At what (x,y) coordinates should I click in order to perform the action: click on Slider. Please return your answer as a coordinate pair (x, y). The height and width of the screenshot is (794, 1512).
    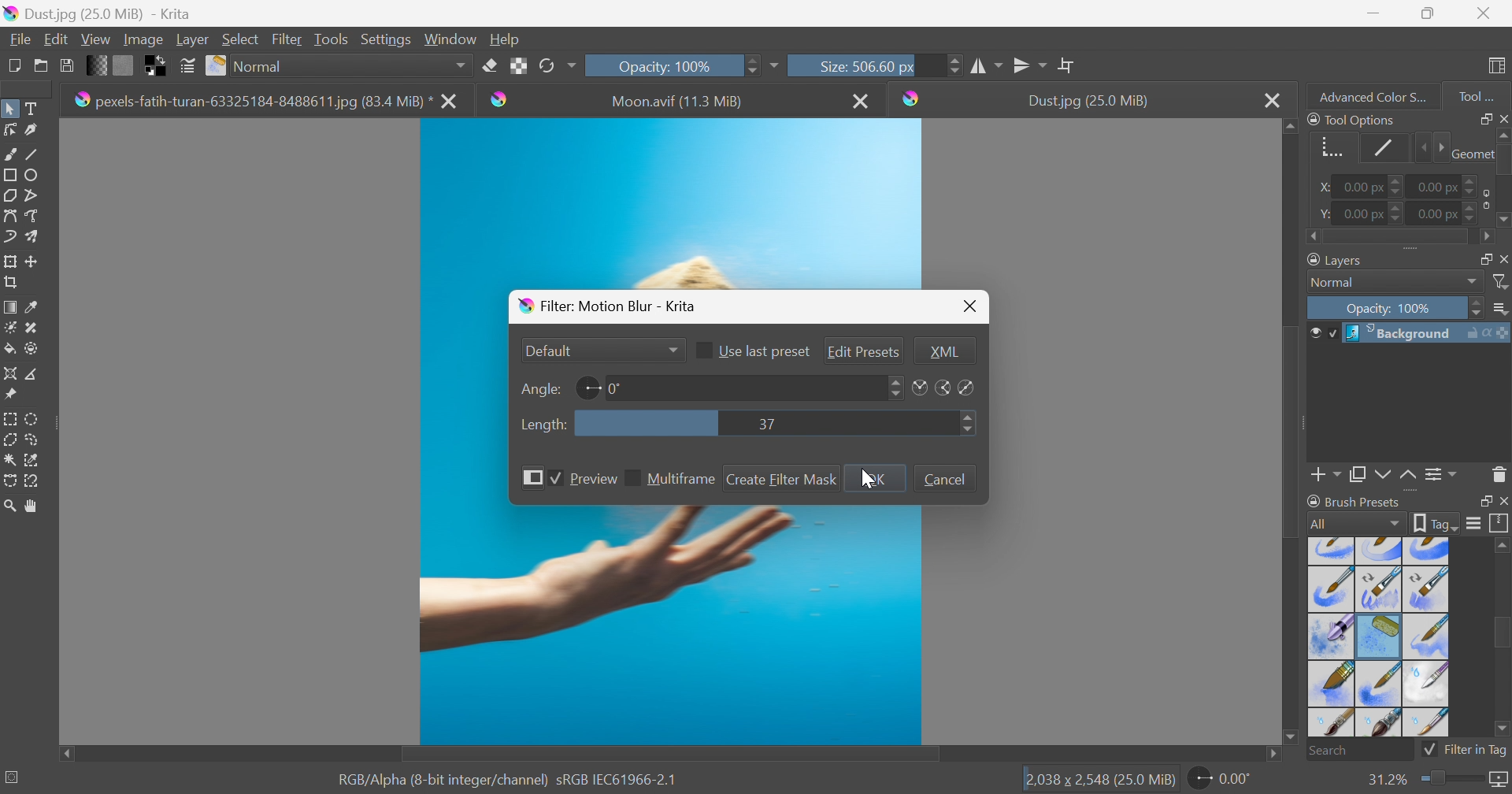
    Looking at the image, I should click on (969, 424).